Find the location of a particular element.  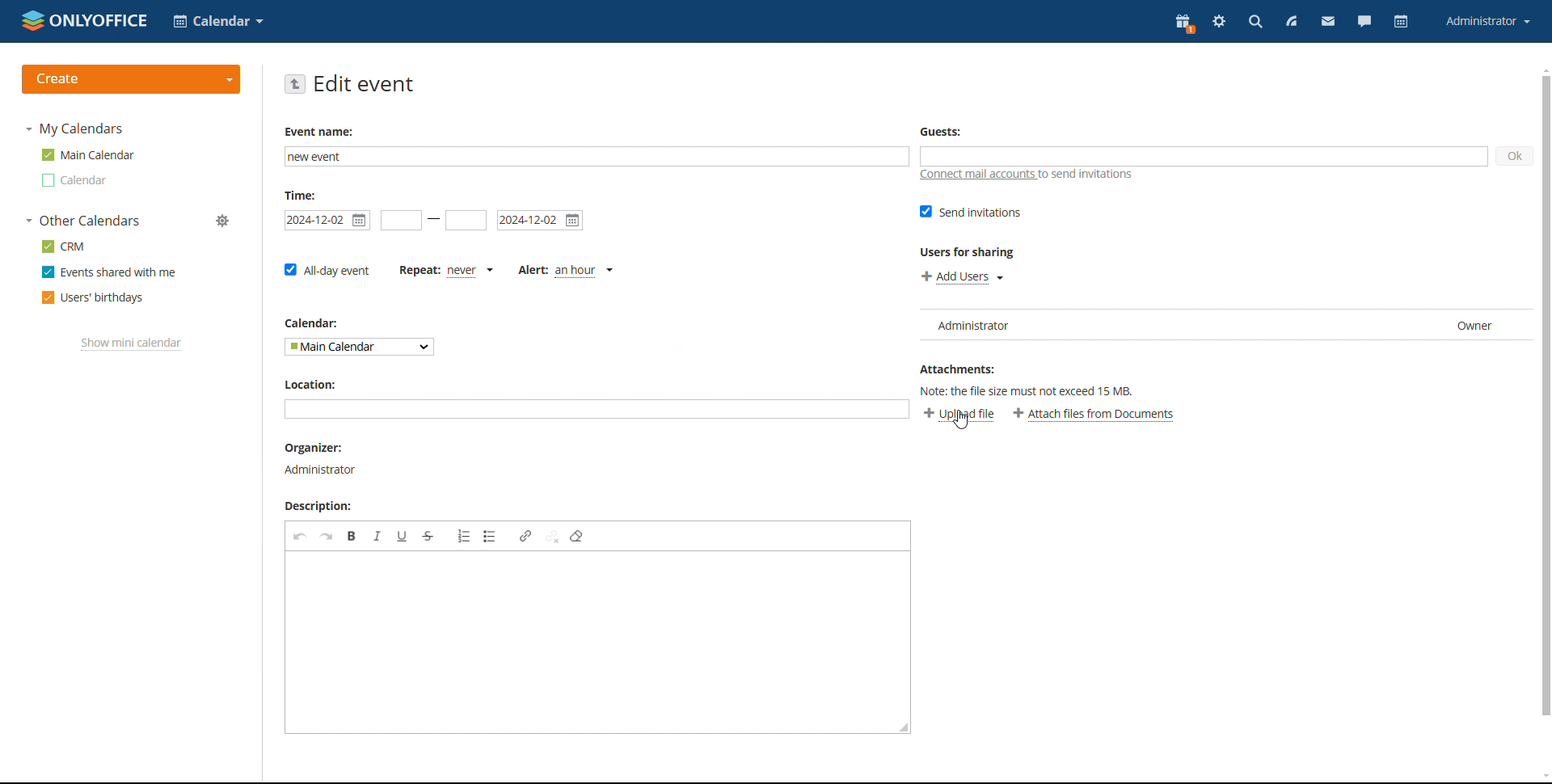

Descriptions: is located at coordinates (321, 505).